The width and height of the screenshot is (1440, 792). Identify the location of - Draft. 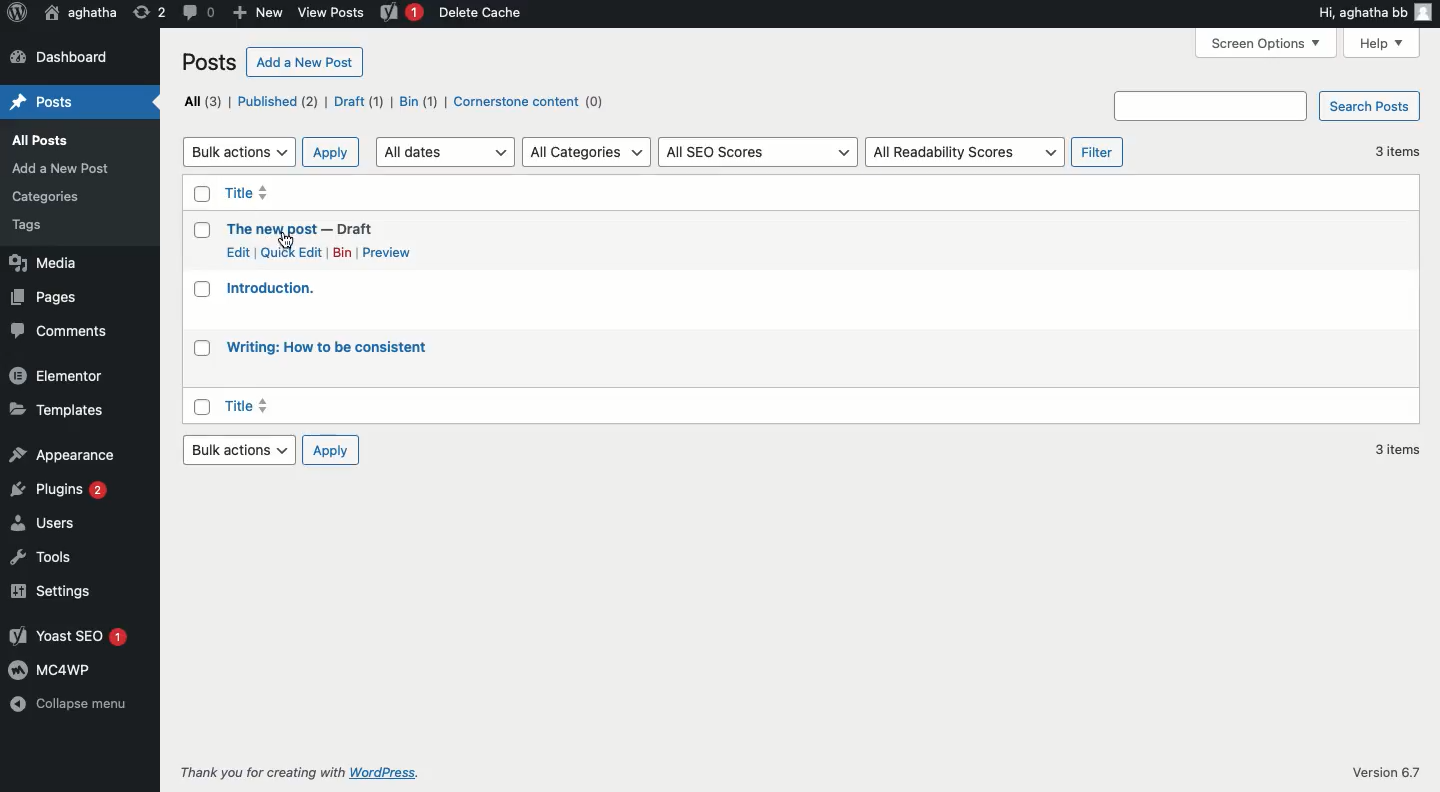
(357, 228).